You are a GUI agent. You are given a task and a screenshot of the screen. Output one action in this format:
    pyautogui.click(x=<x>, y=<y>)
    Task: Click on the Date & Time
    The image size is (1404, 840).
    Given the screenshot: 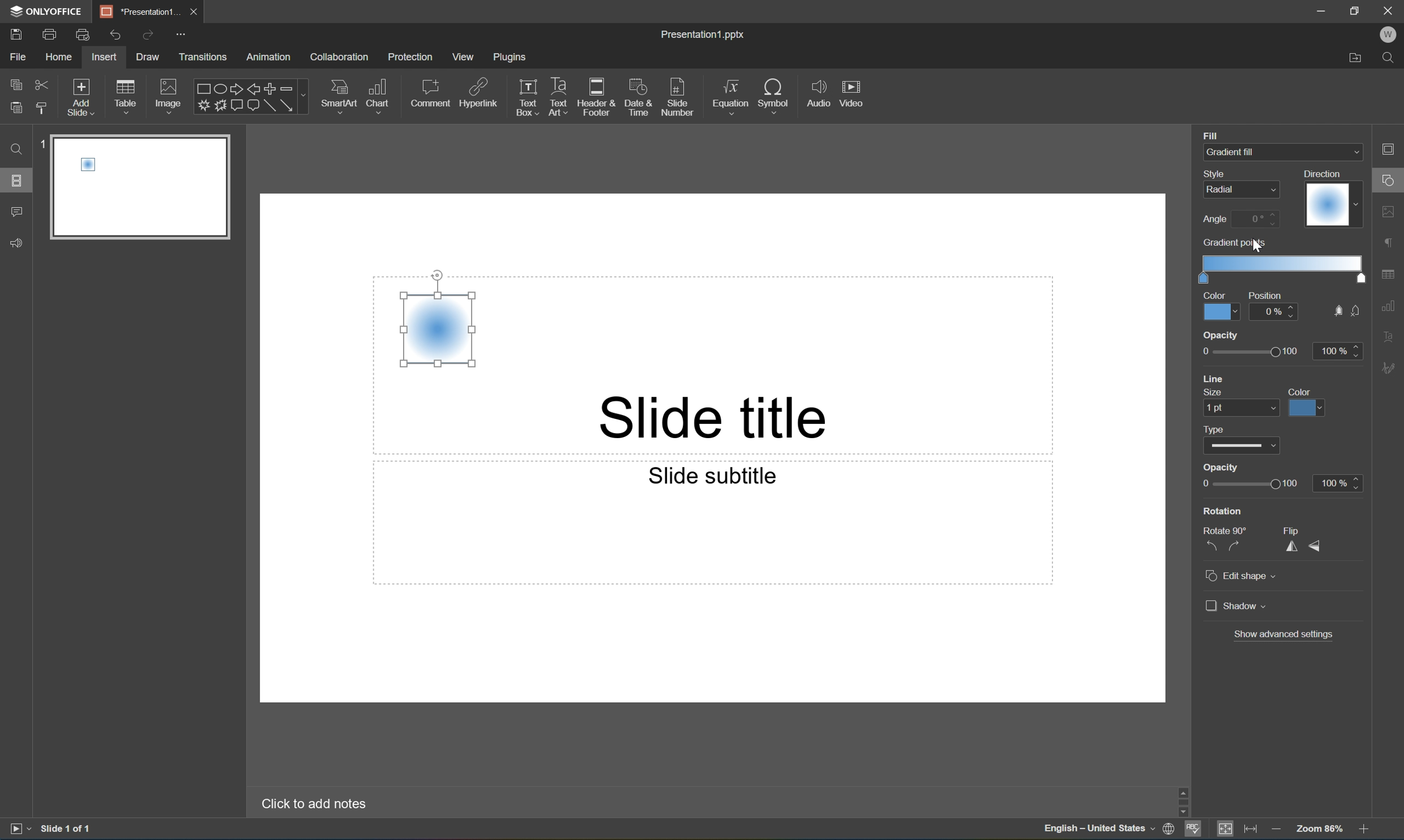 What is the action you would take?
    pyautogui.click(x=636, y=96)
    